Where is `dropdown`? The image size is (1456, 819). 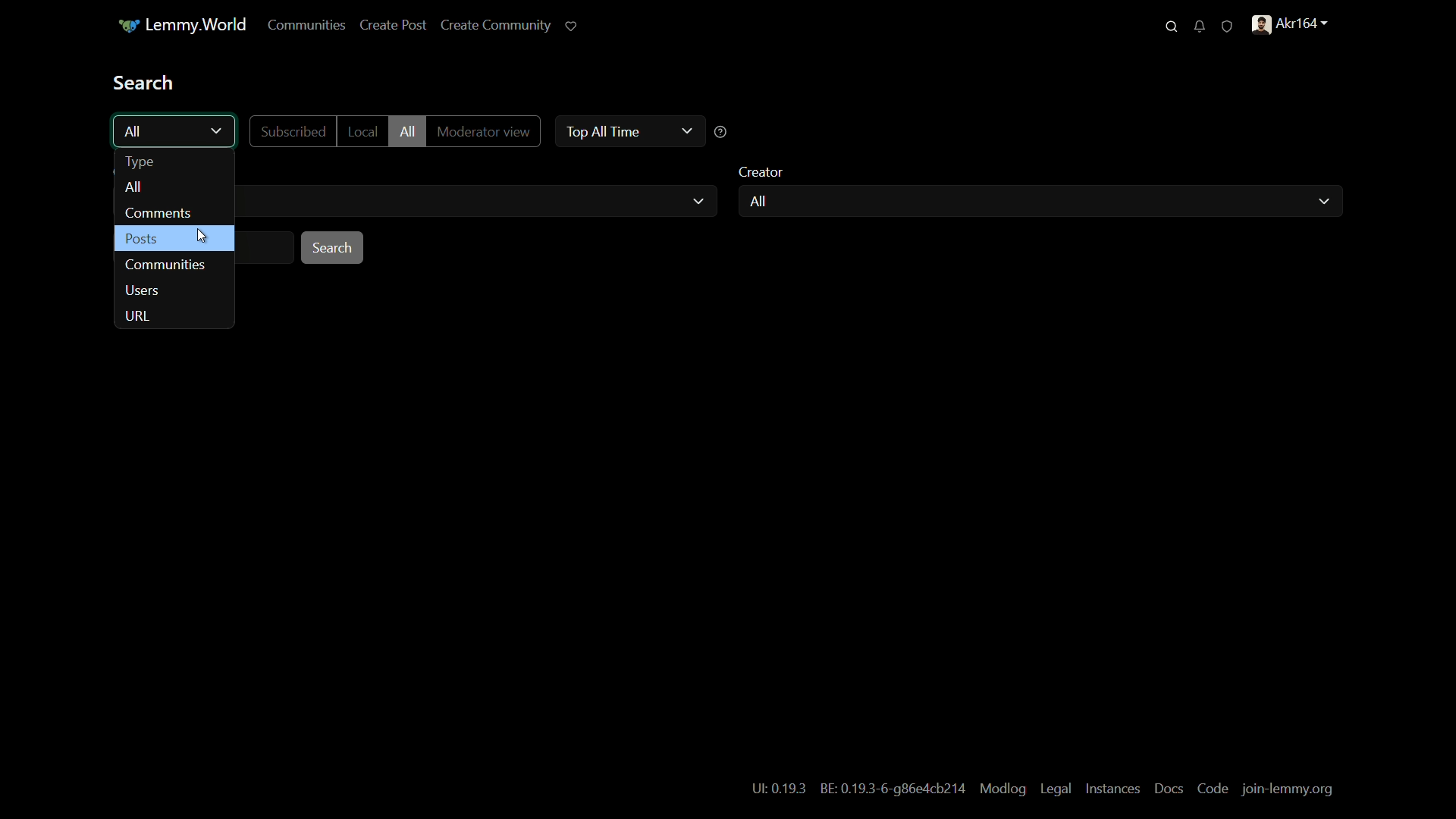 dropdown is located at coordinates (217, 132).